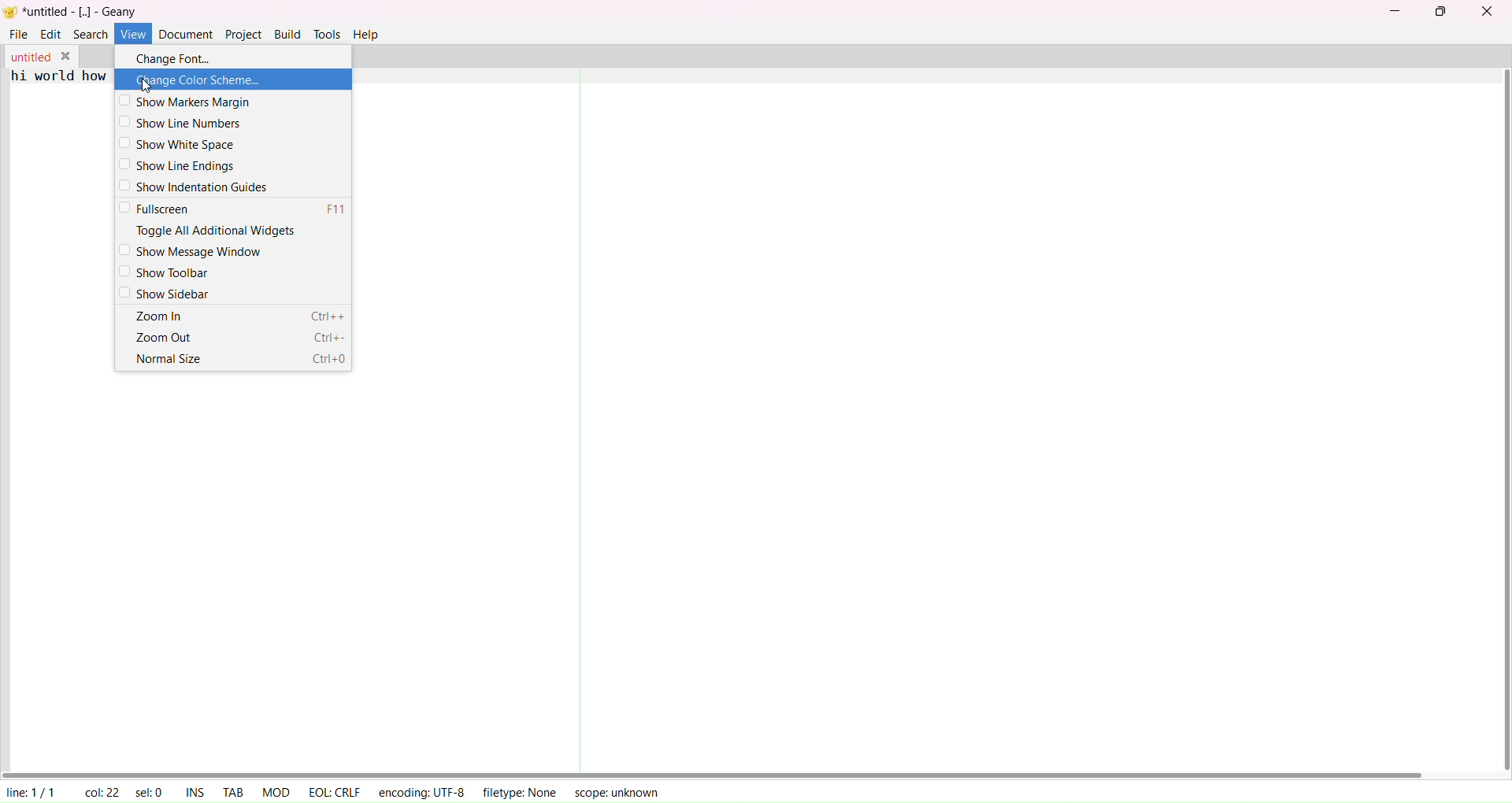 Image resolution: width=1512 pixels, height=803 pixels. I want to click on vertical scroll bar, so click(1499, 420).